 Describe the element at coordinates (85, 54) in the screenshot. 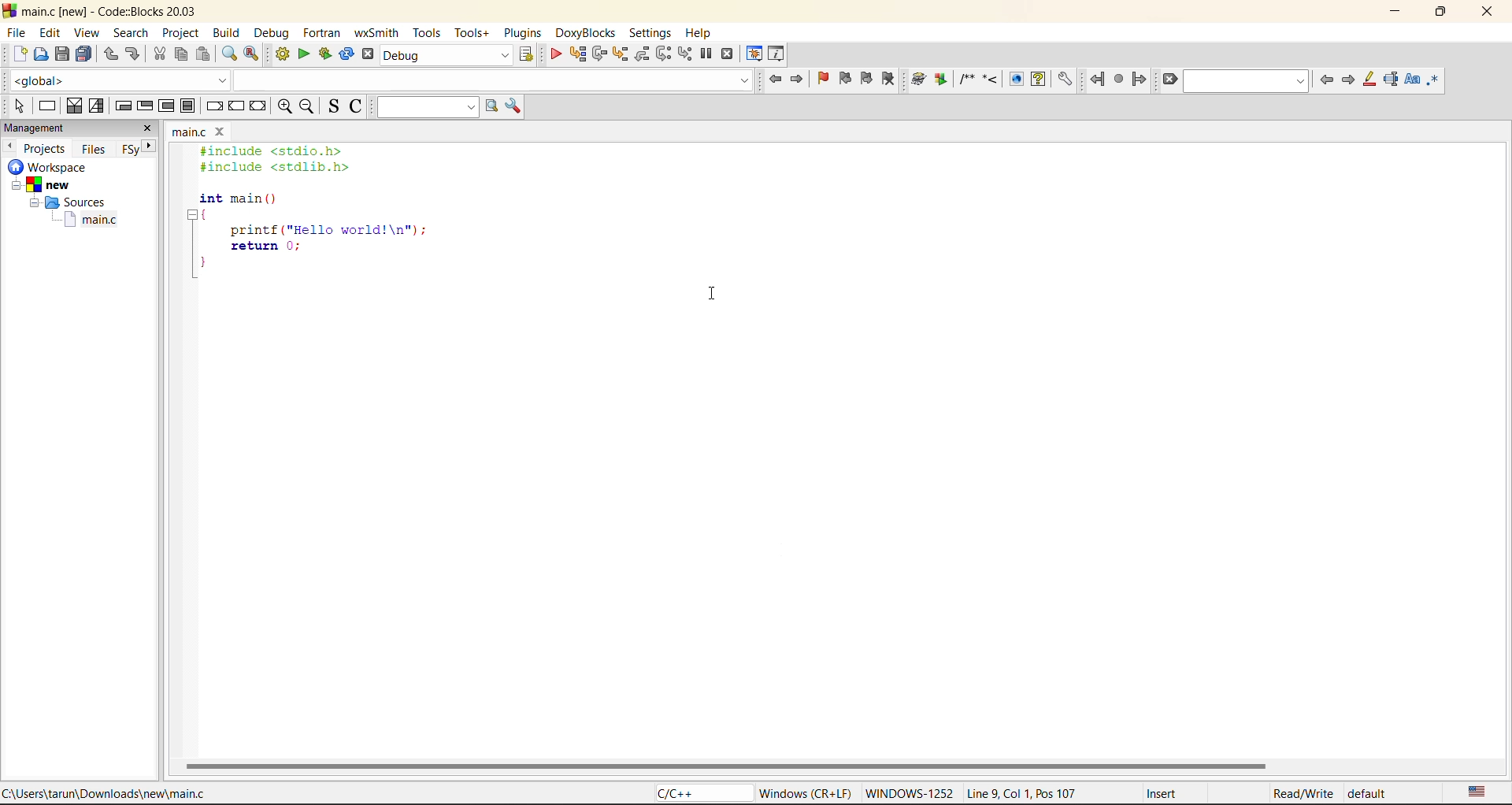

I see `save everything` at that location.